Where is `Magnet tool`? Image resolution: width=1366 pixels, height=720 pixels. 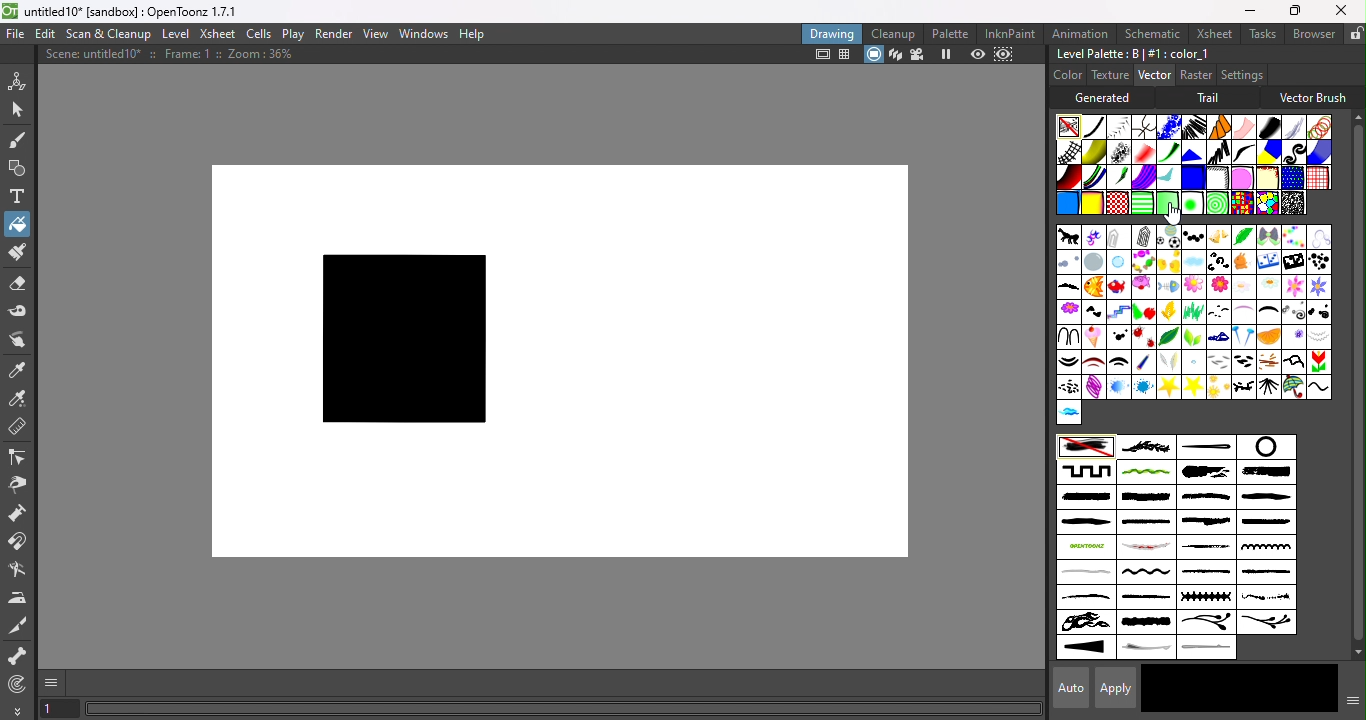 Magnet tool is located at coordinates (20, 543).